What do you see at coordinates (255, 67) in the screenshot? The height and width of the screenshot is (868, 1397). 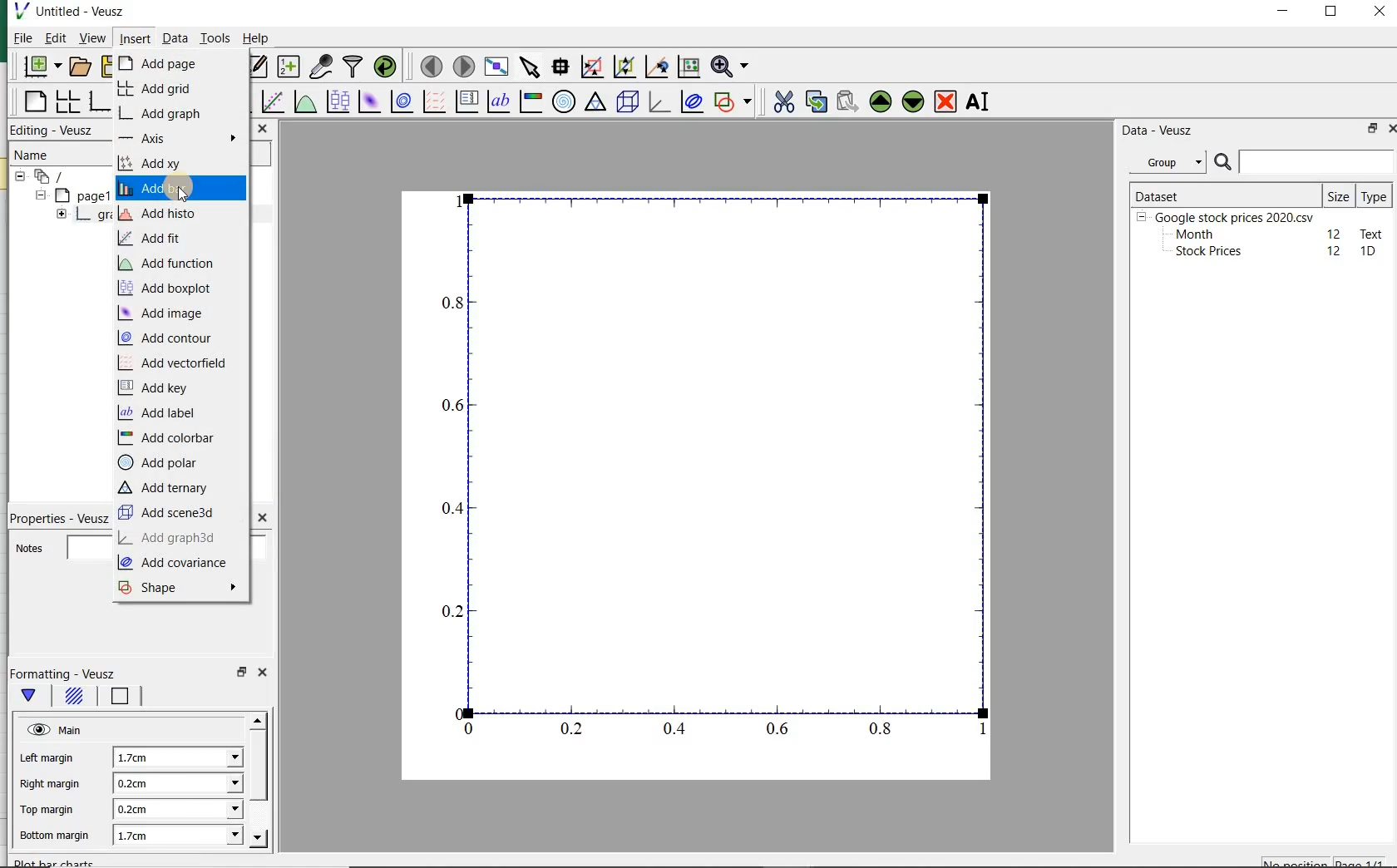 I see `edit and enter new datasets` at bounding box center [255, 67].